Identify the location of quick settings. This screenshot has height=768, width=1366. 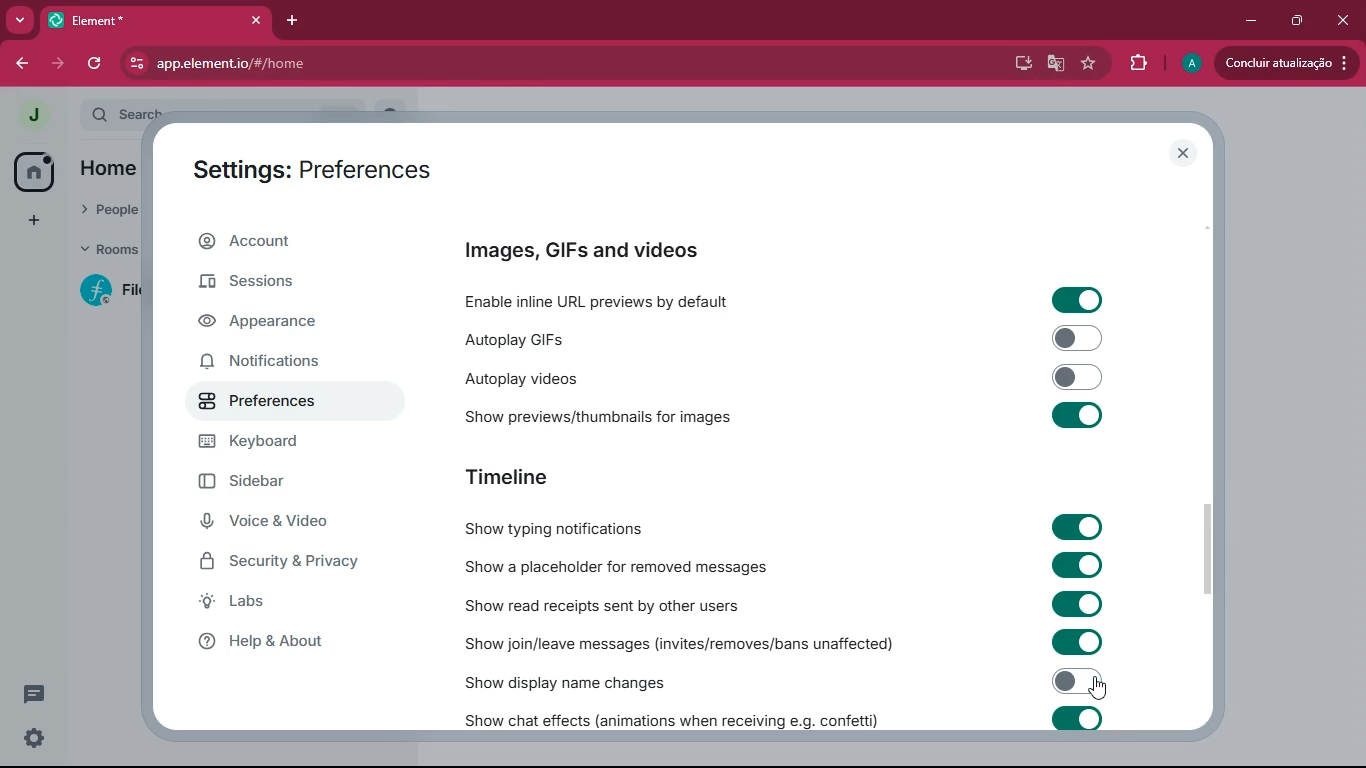
(34, 738).